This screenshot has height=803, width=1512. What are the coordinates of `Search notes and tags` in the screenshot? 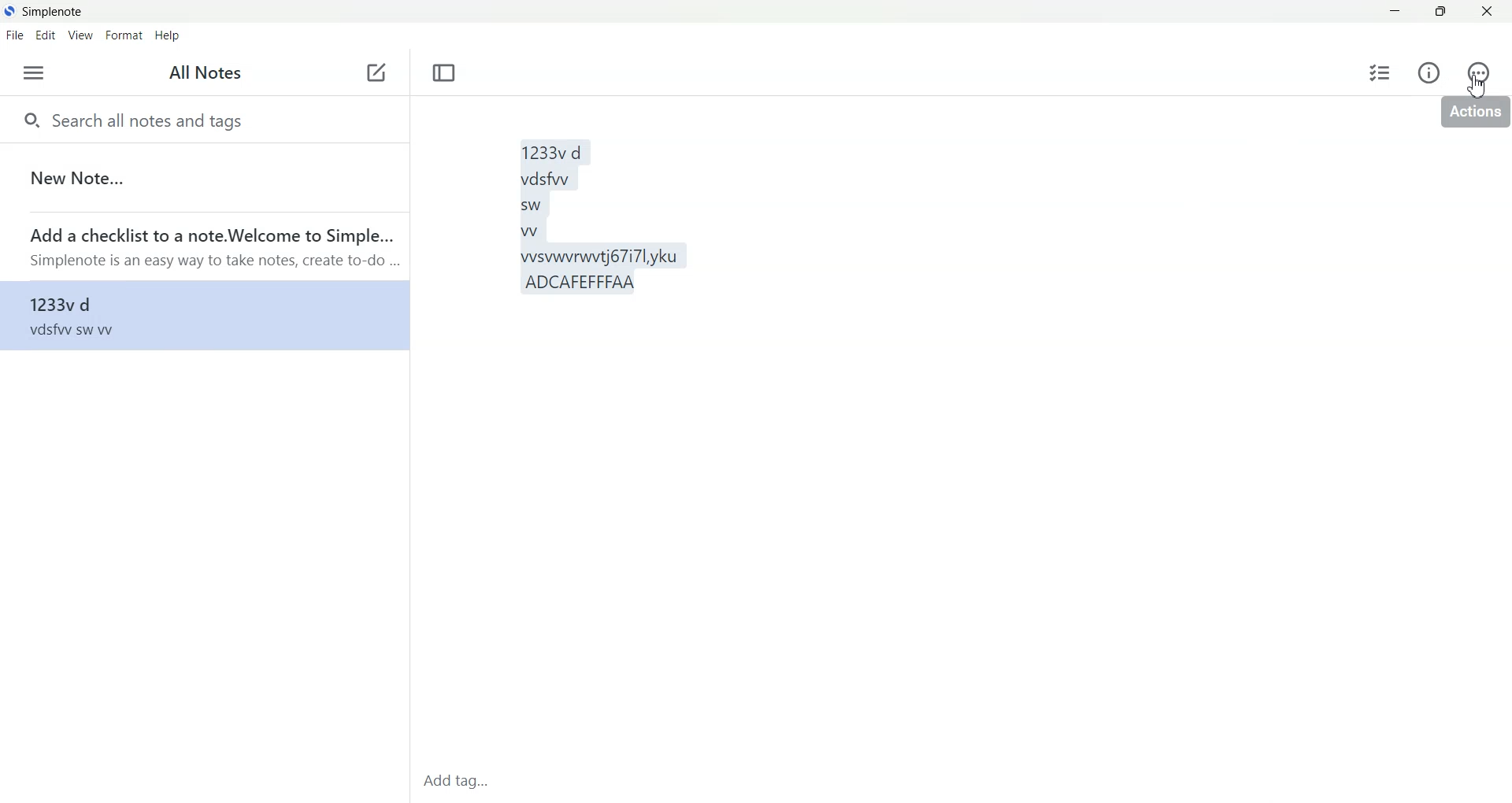 It's located at (203, 119).